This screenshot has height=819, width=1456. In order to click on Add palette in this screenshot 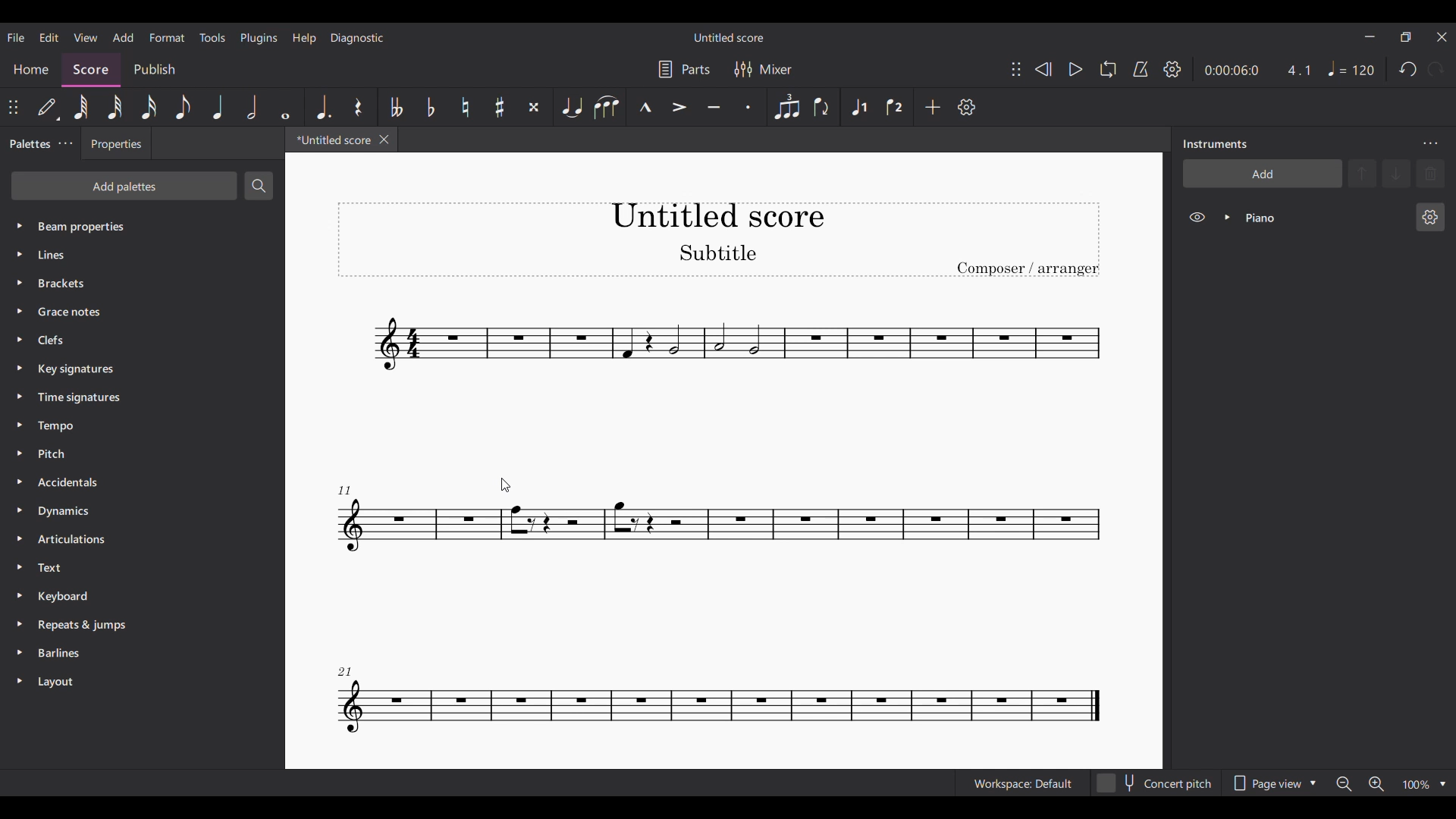, I will do `click(124, 186)`.